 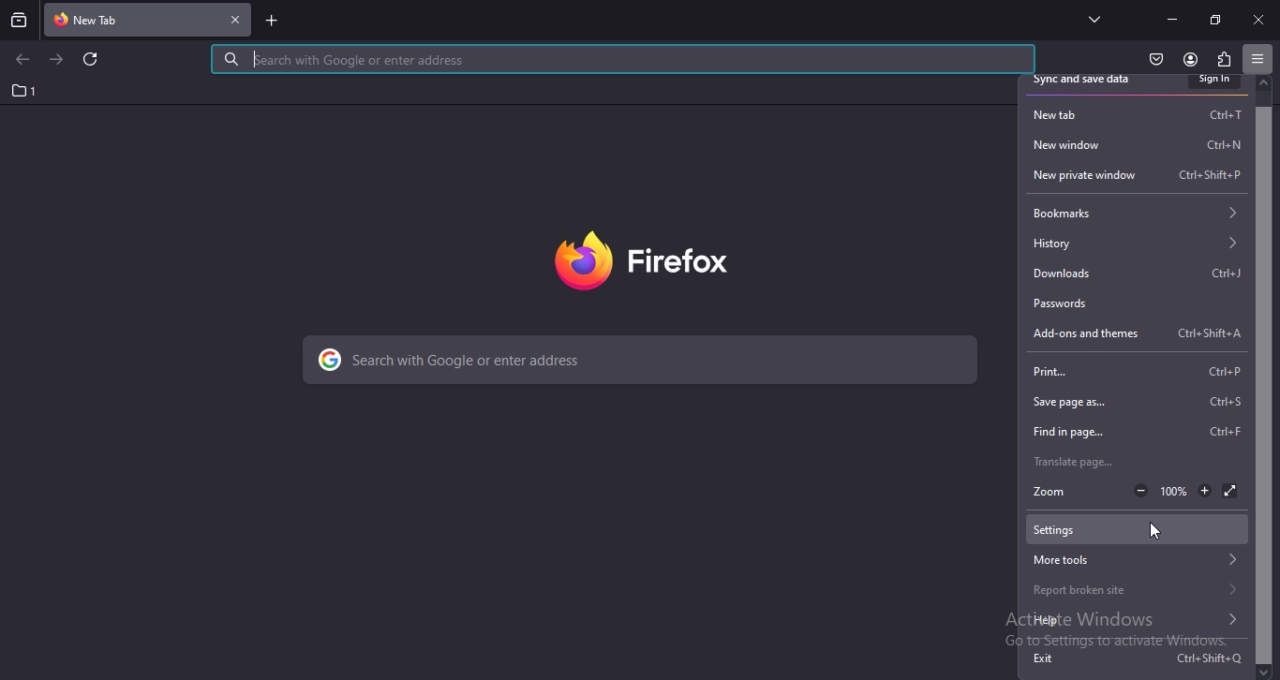 I want to click on account, so click(x=1188, y=59).